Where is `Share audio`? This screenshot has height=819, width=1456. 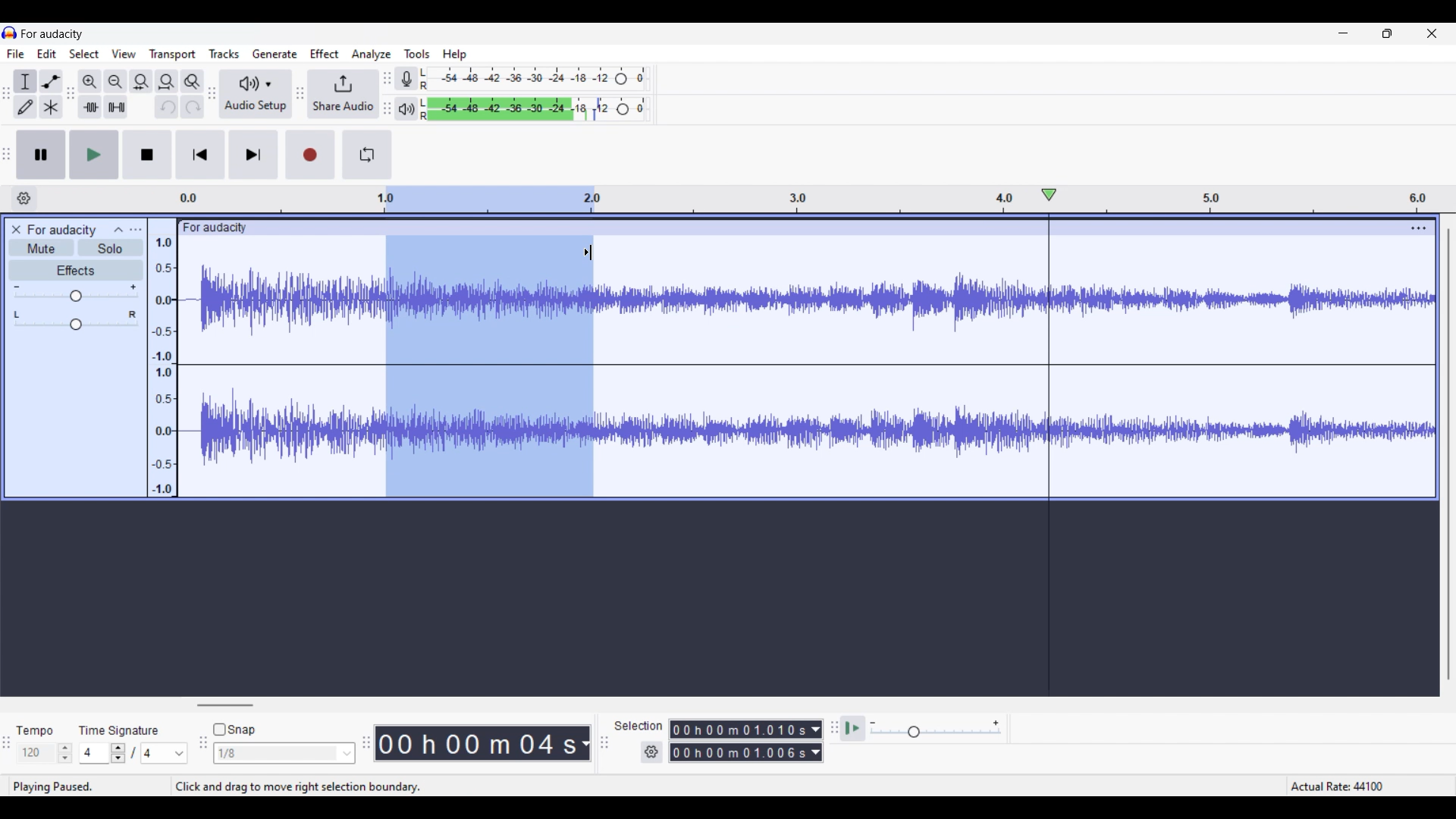
Share audio is located at coordinates (342, 94).